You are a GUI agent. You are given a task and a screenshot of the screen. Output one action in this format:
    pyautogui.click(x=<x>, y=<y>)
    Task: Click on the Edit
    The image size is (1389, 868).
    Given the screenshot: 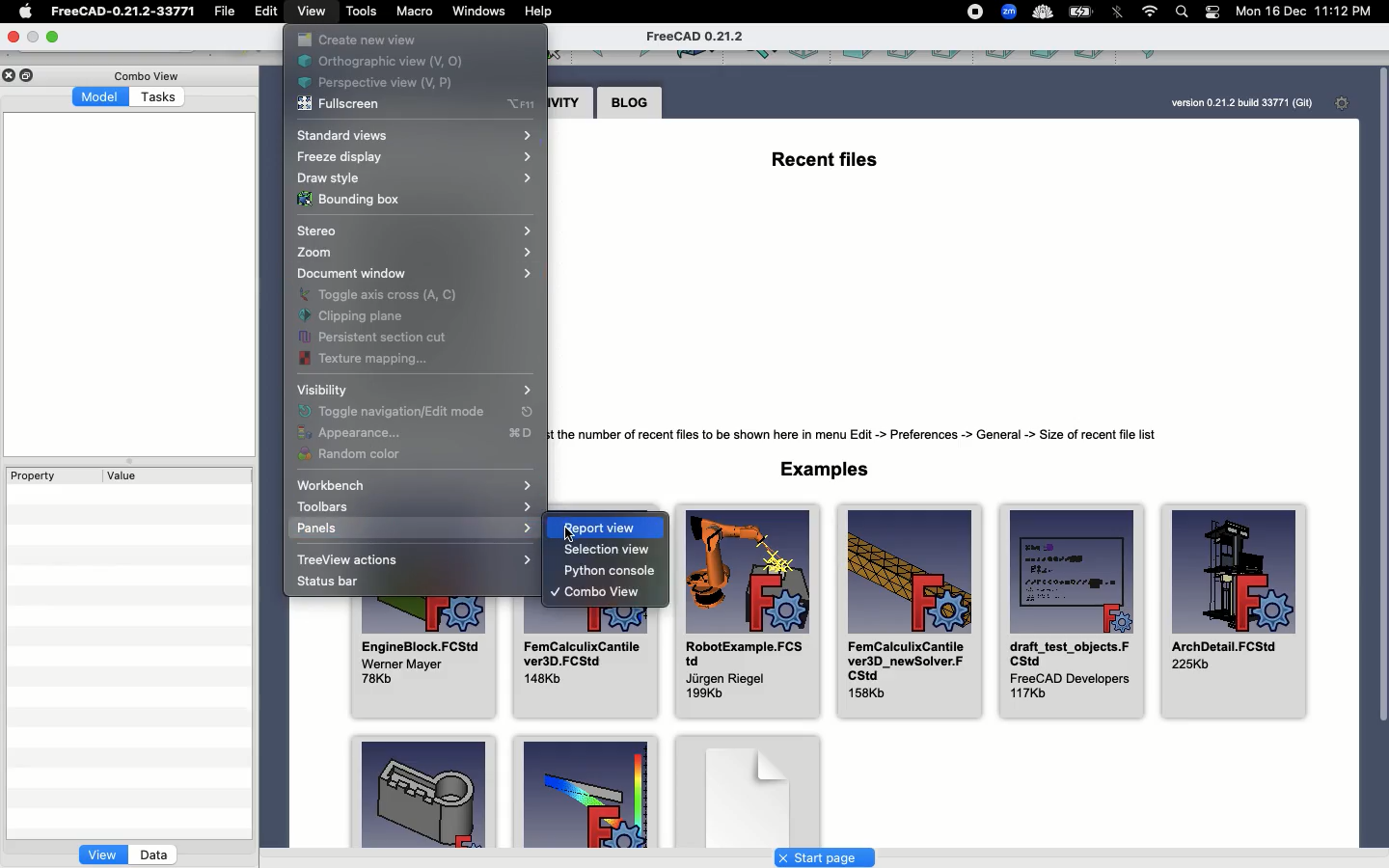 What is the action you would take?
    pyautogui.click(x=264, y=14)
    